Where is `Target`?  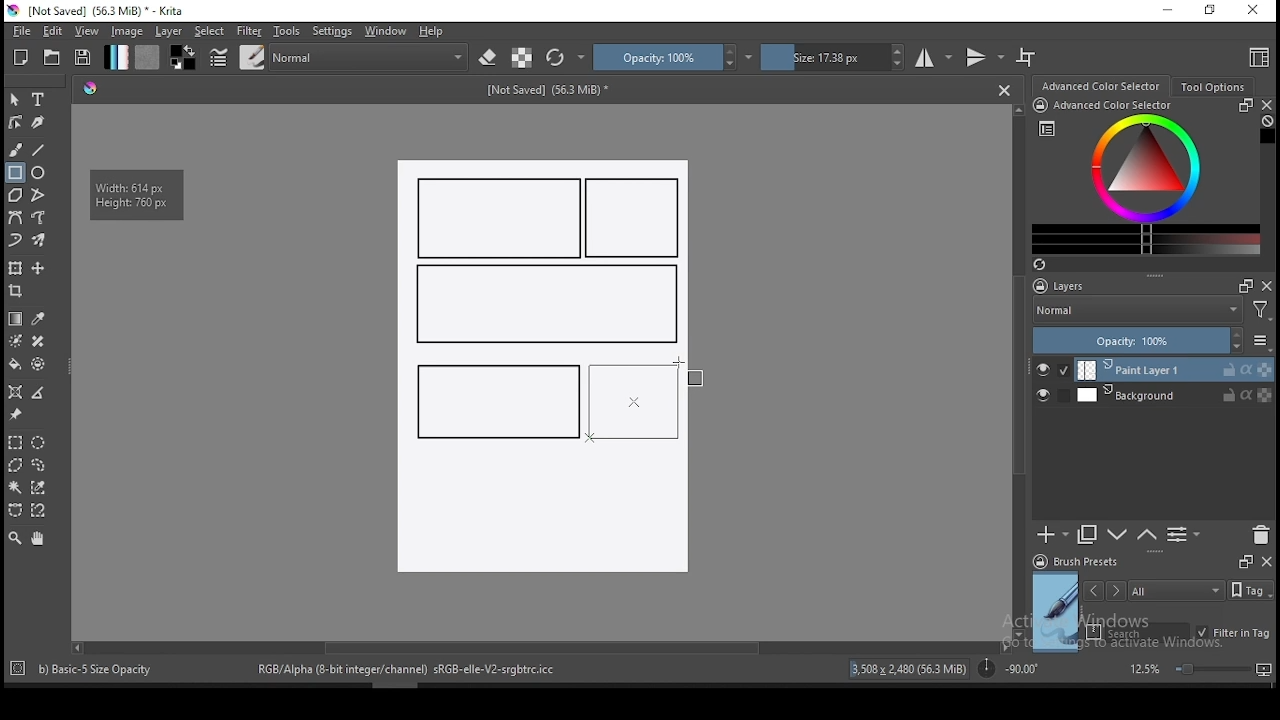
Target is located at coordinates (19, 669).